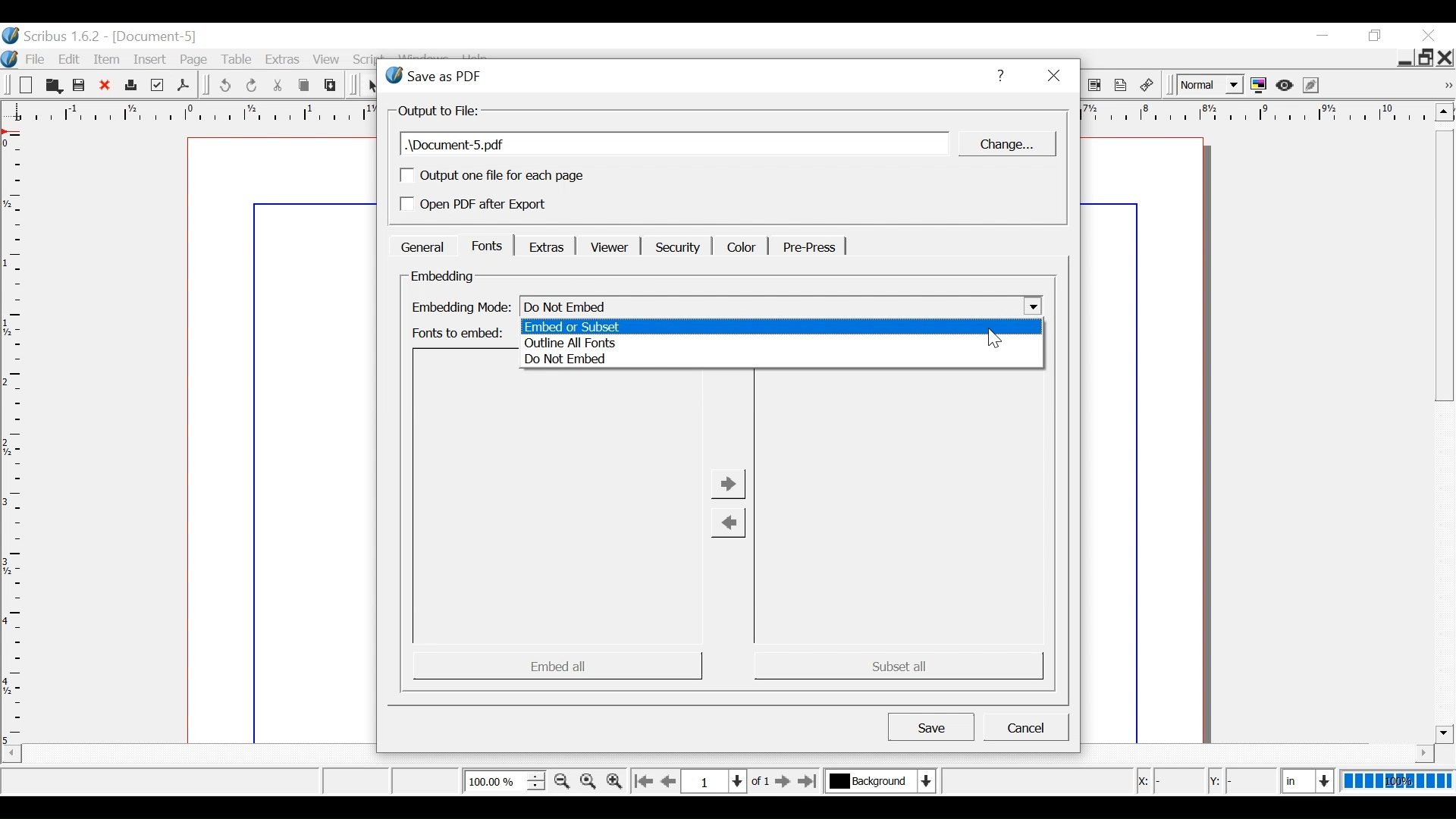  Describe the element at coordinates (1157, 439) in the screenshot. I see `Document` at that location.